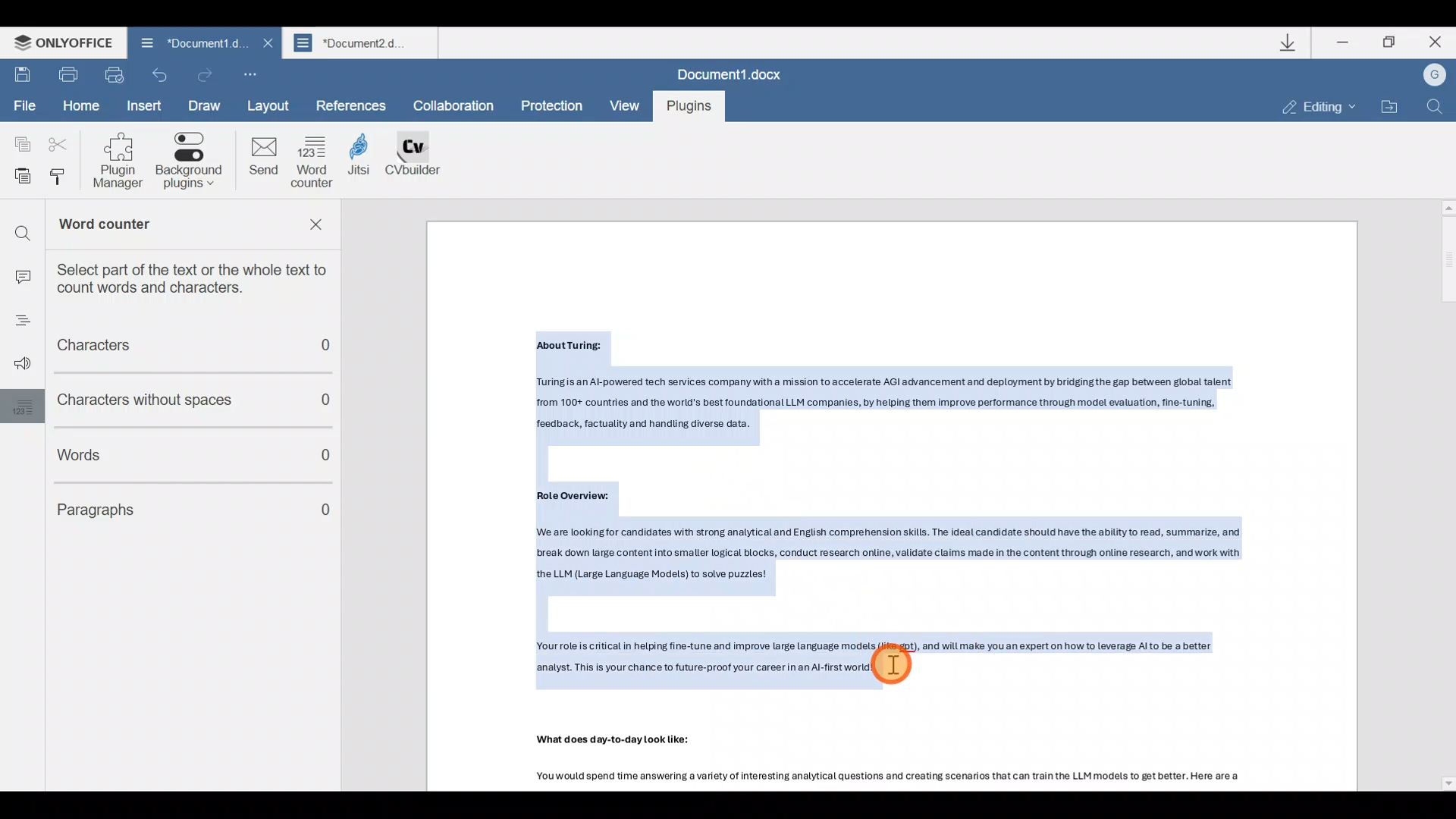 This screenshot has width=1456, height=819. Describe the element at coordinates (265, 43) in the screenshot. I see `Close` at that location.